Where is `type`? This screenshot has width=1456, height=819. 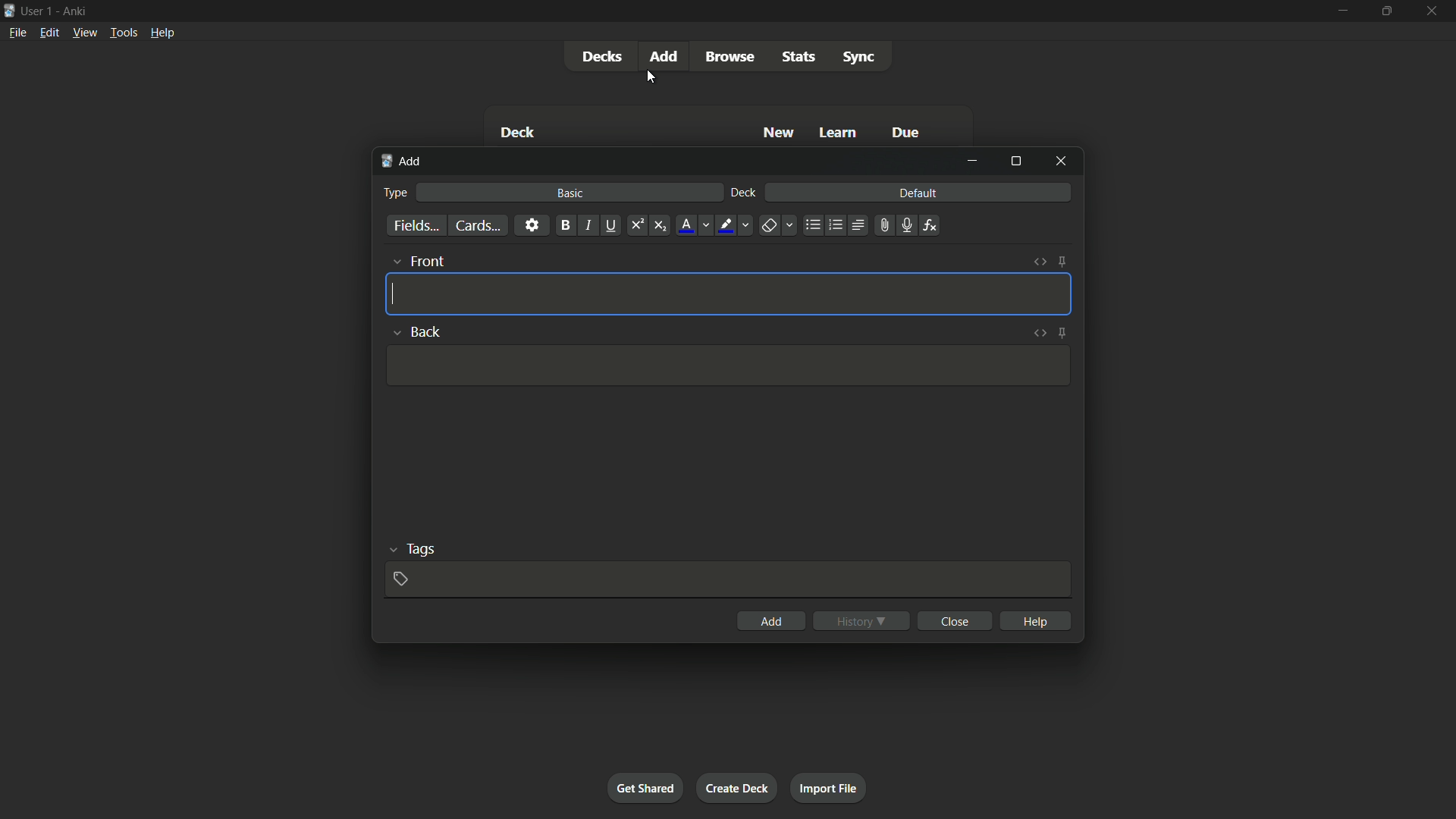 type is located at coordinates (394, 193).